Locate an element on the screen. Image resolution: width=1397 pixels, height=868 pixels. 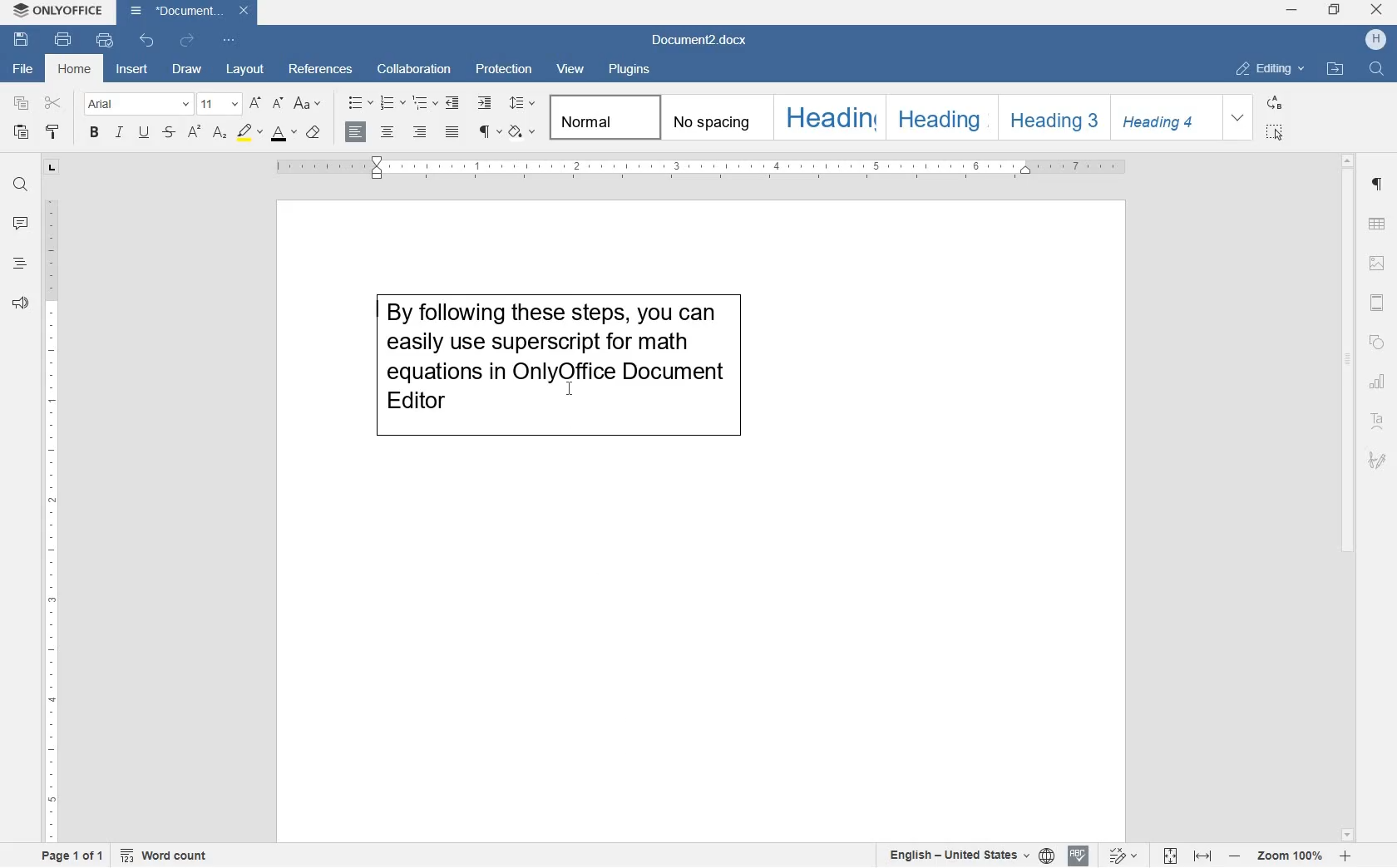
shading is located at coordinates (522, 131).